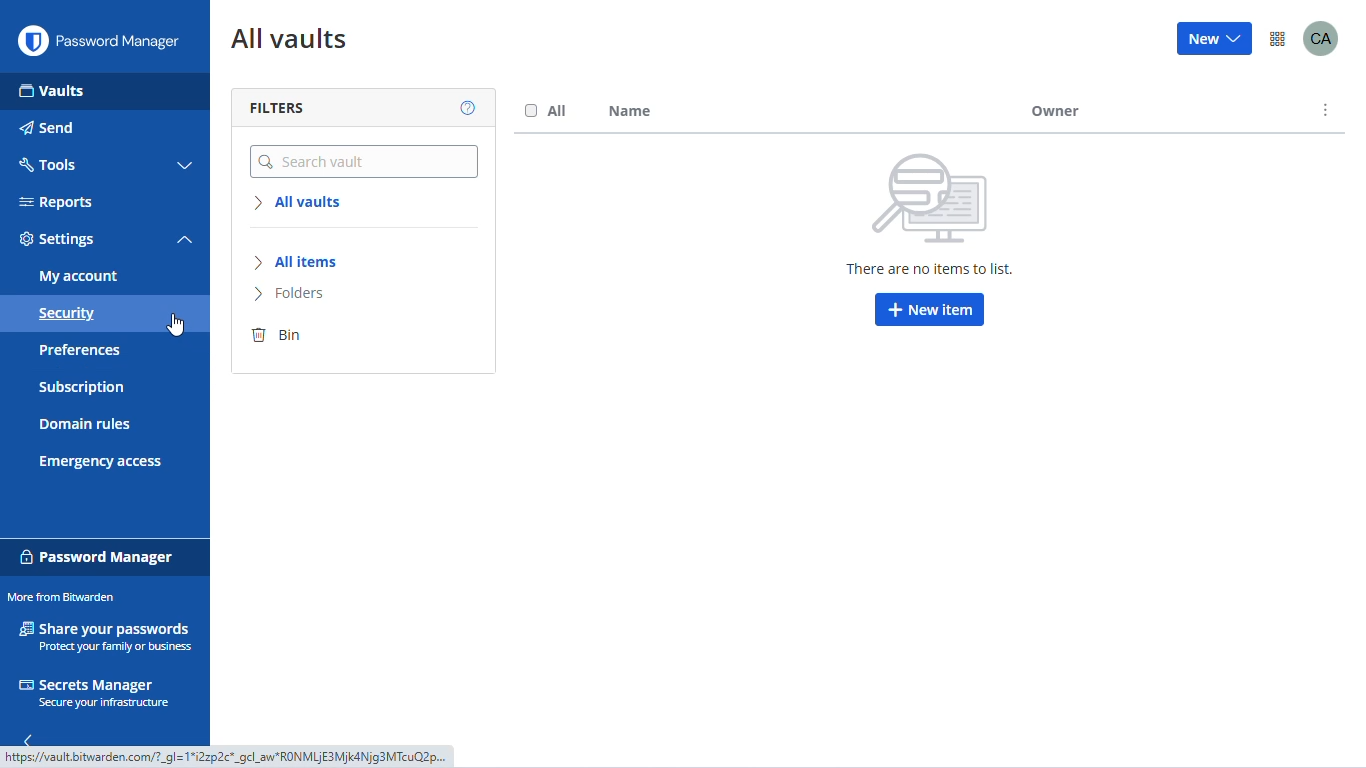 The width and height of the screenshot is (1366, 768). I want to click on name, so click(629, 112).